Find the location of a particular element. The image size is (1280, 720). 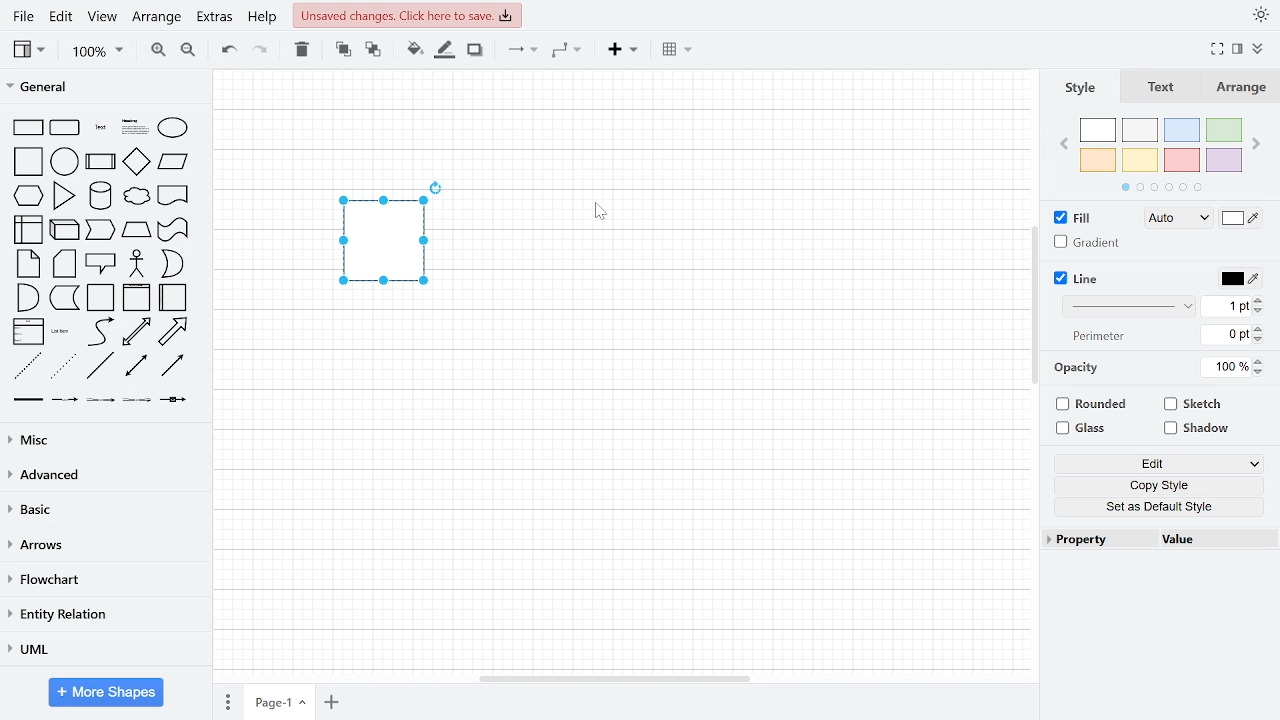

rotate diagram is located at coordinates (437, 187).